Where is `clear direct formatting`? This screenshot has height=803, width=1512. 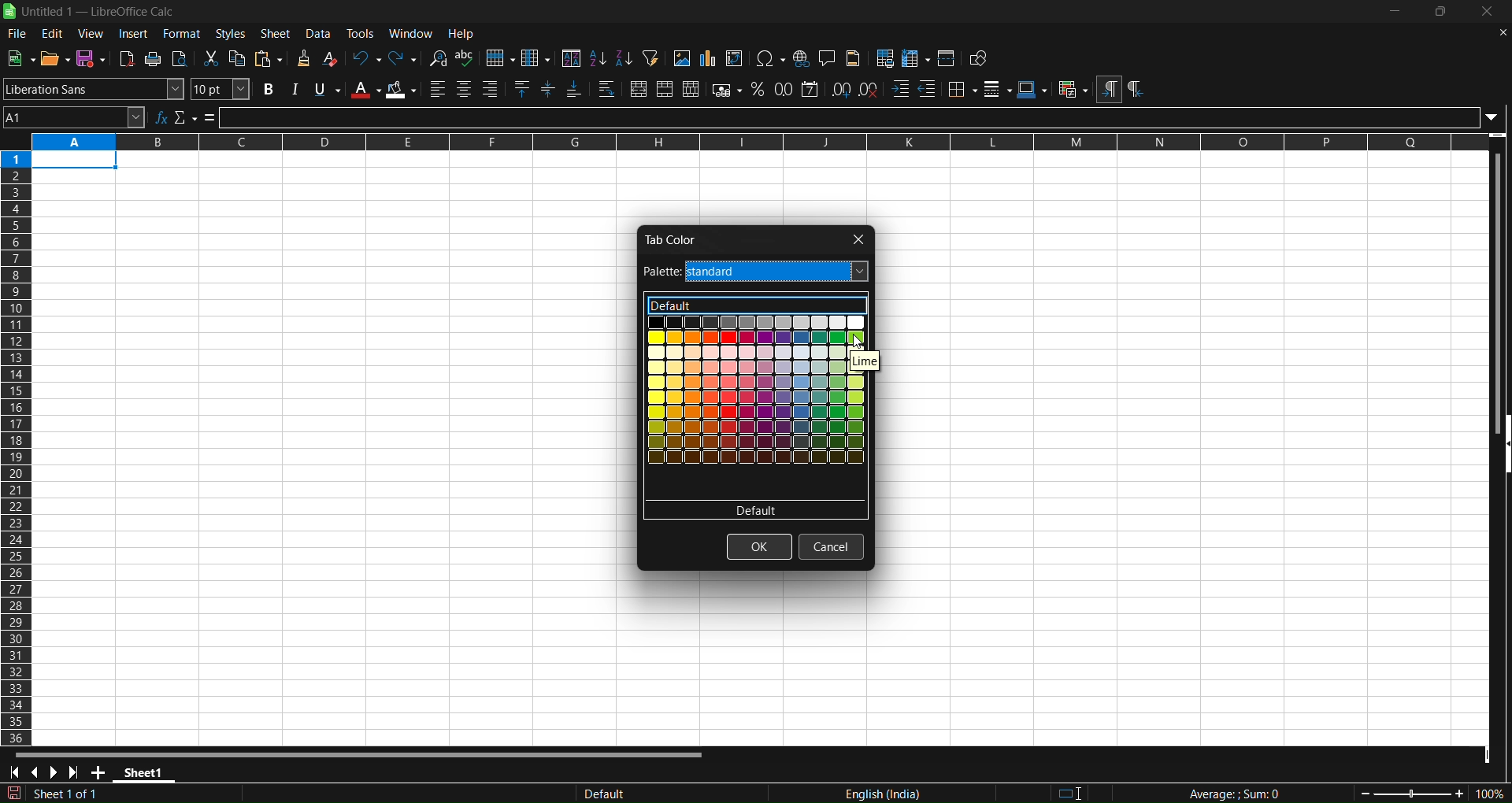
clear direct formatting is located at coordinates (332, 58).